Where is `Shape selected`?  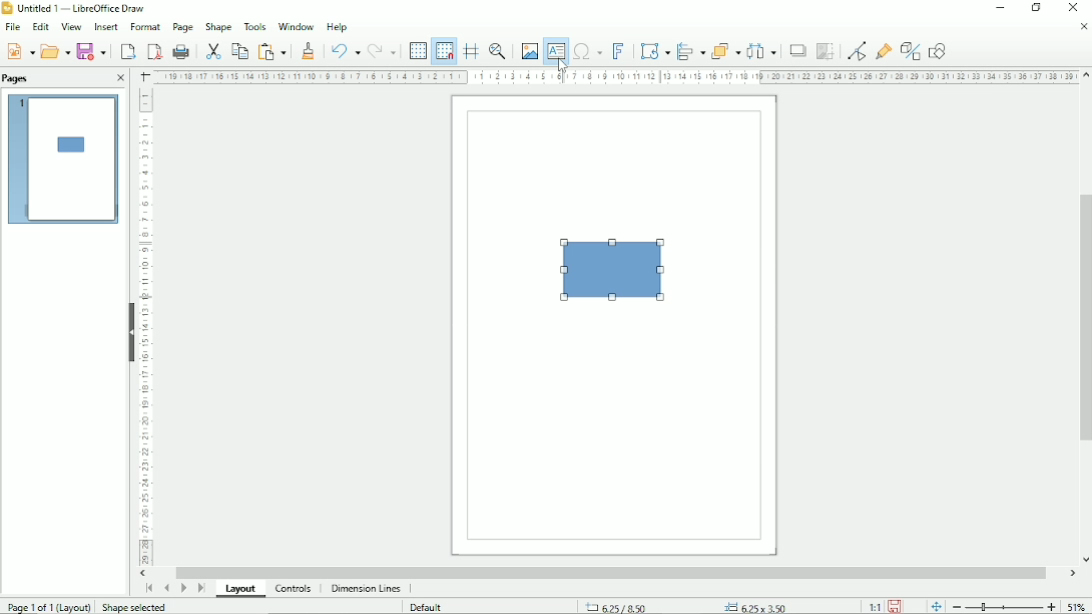
Shape selected is located at coordinates (138, 607).